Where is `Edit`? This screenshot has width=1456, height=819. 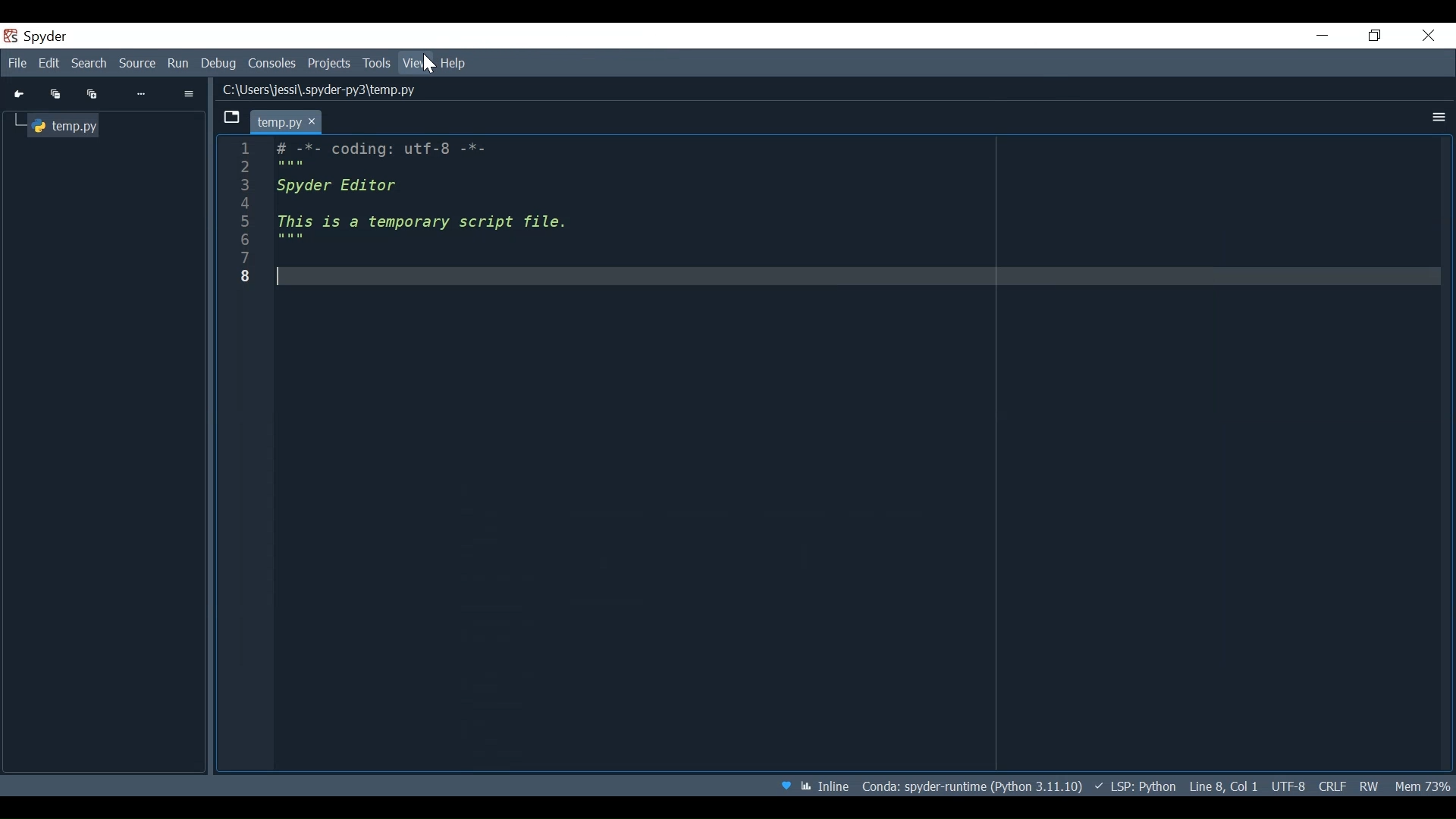 Edit is located at coordinates (51, 64).